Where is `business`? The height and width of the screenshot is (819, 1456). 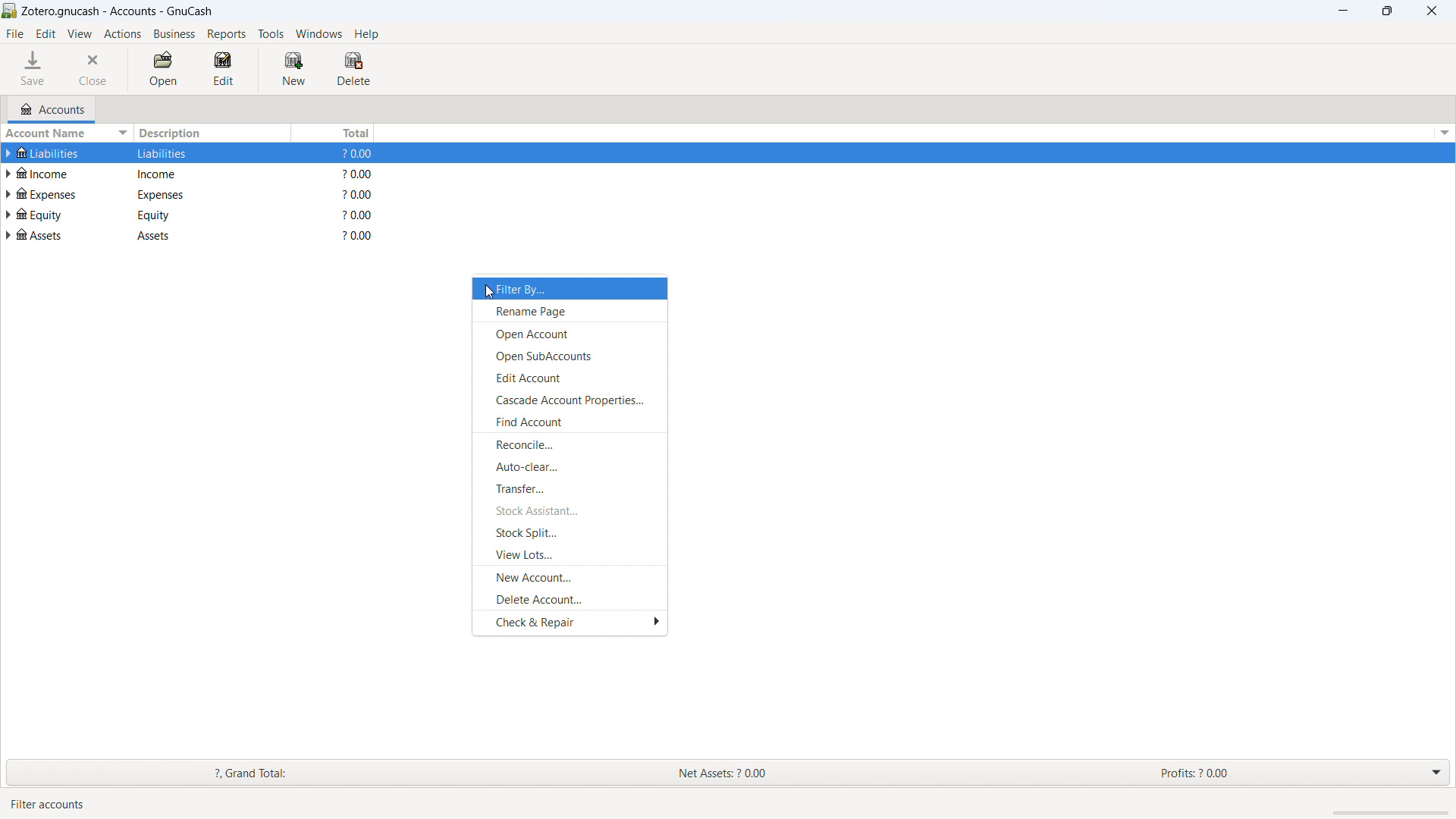
business is located at coordinates (175, 34).